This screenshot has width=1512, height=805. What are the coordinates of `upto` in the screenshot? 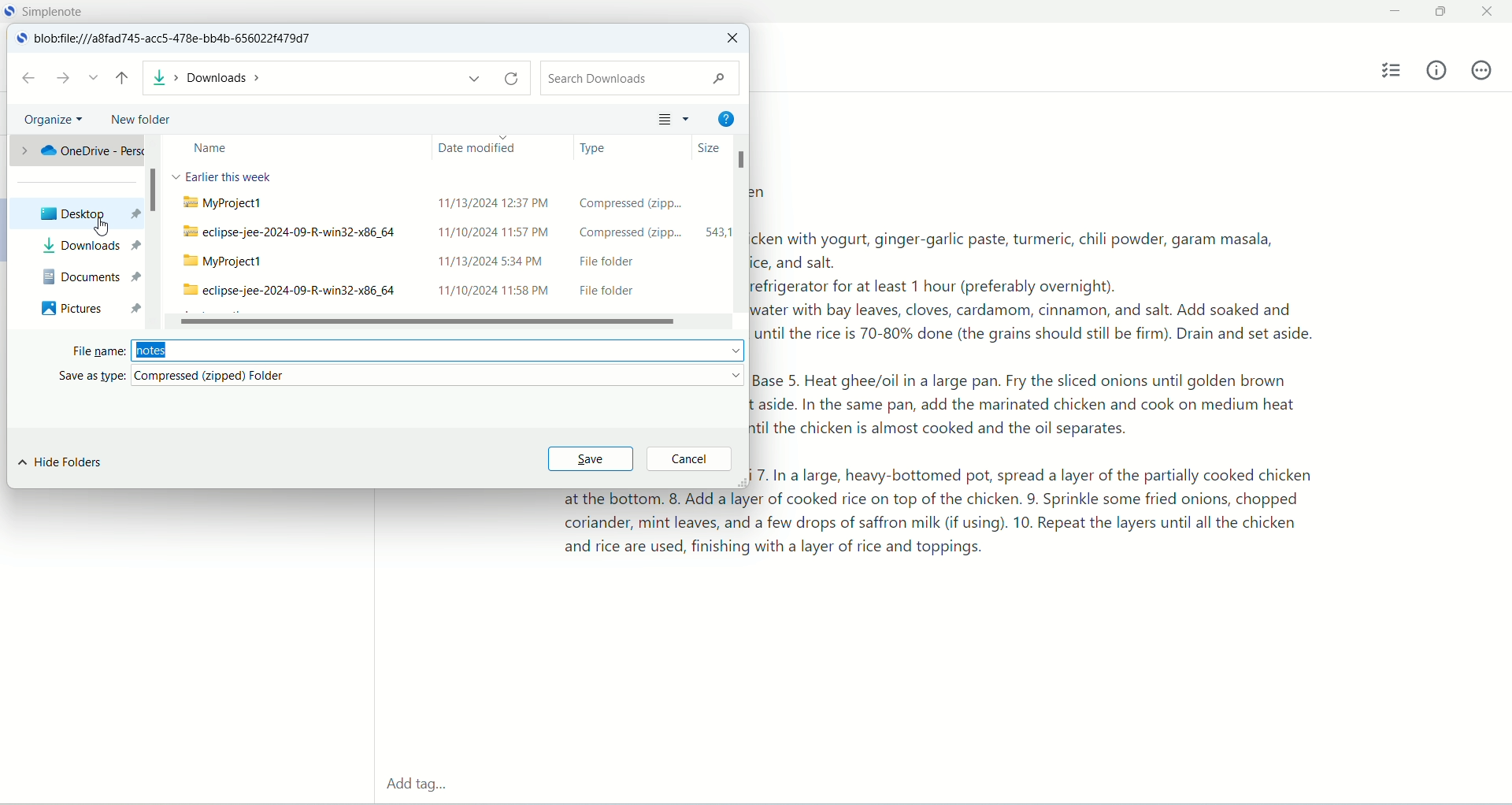 It's located at (124, 80).